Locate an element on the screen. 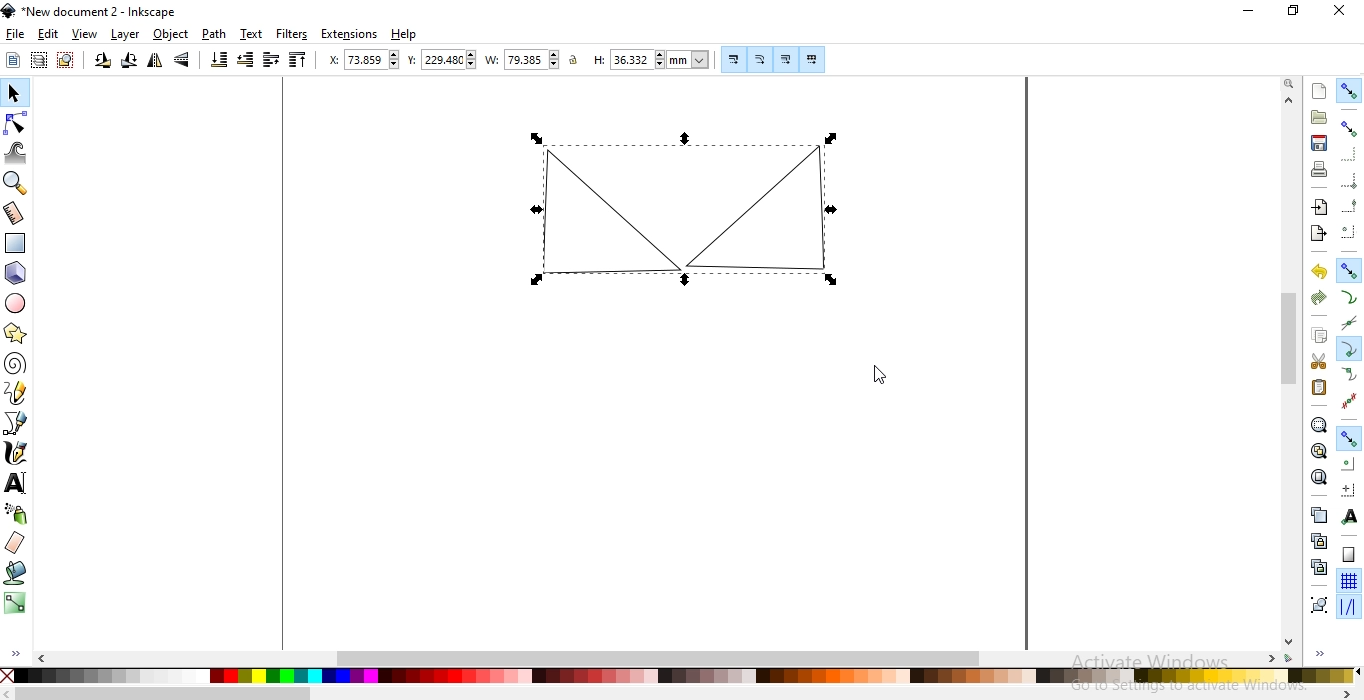  zoom to  fit drawing is located at coordinates (1316, 452).